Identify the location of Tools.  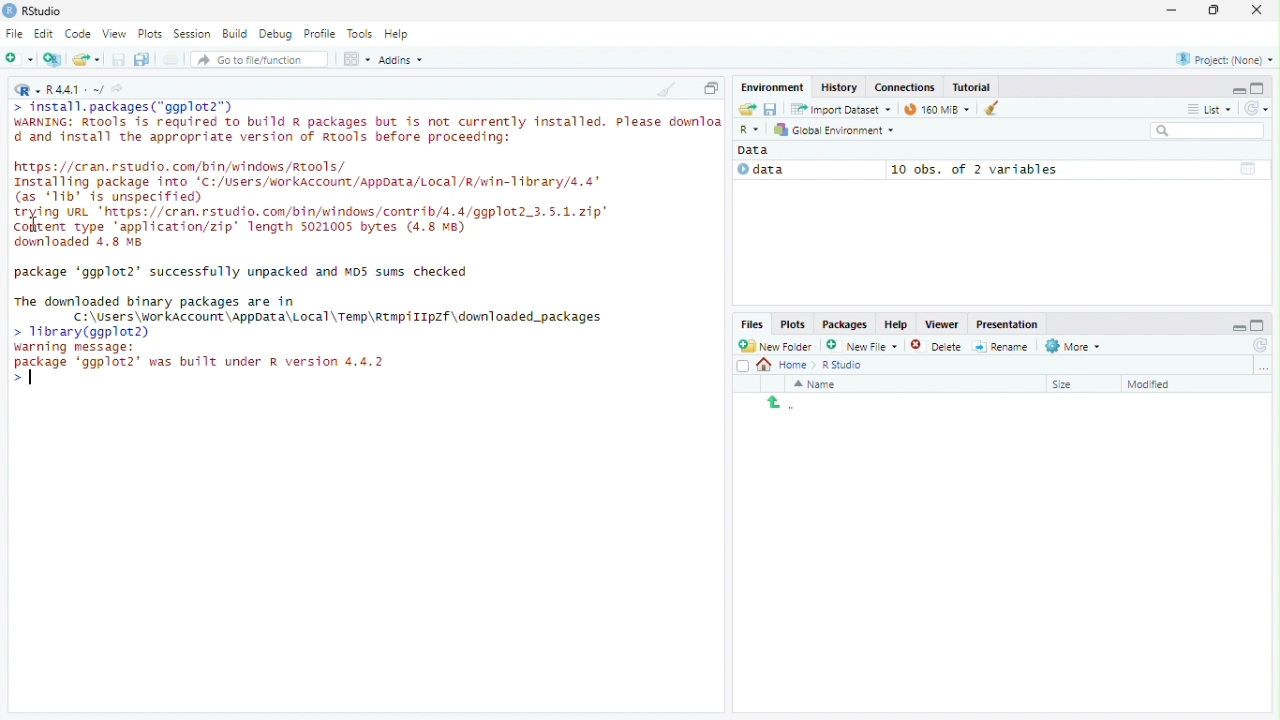
(361, 34).